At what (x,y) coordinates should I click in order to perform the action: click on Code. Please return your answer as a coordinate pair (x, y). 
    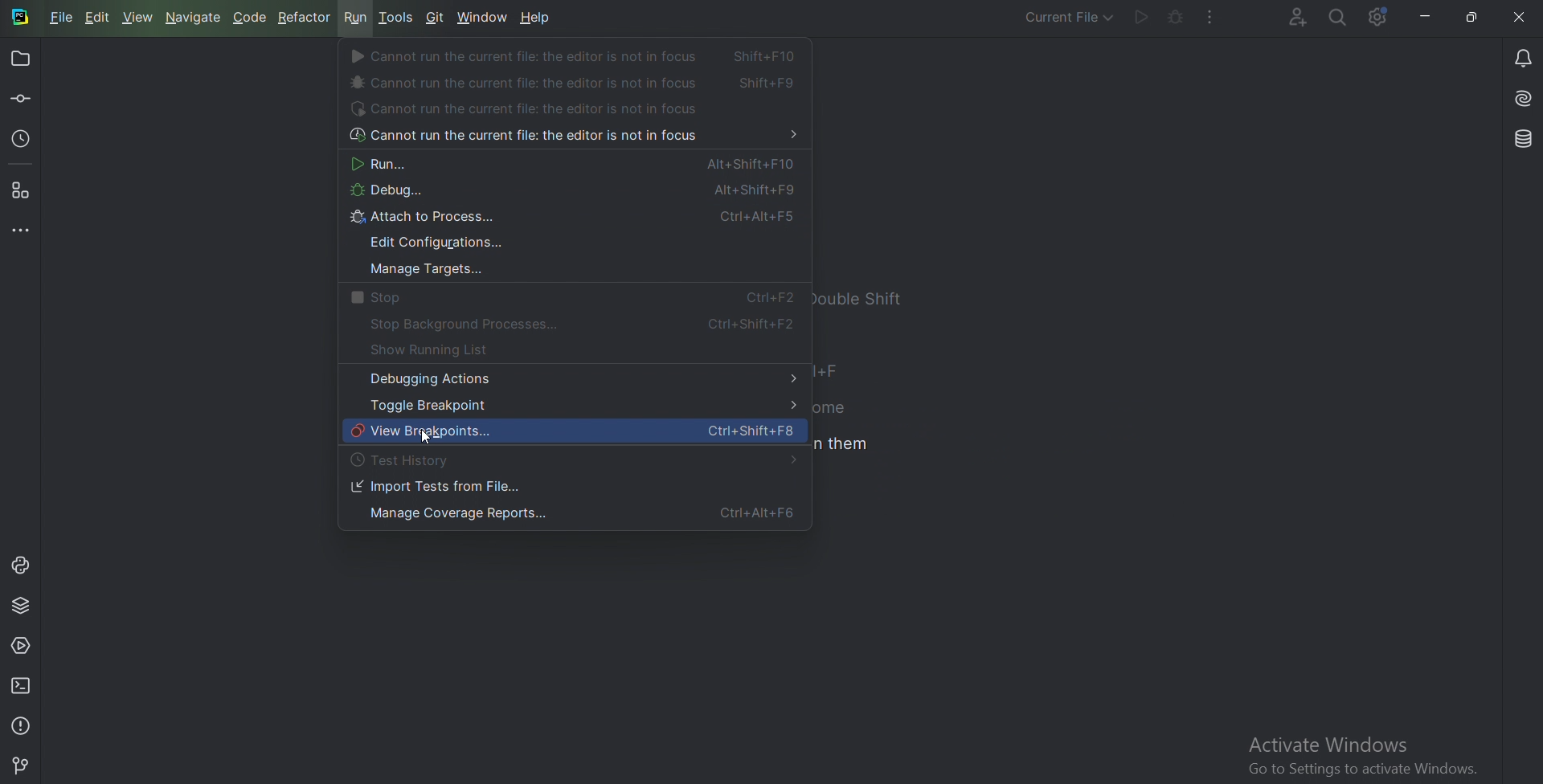
    Looking at the image, I should click on (252, 18).